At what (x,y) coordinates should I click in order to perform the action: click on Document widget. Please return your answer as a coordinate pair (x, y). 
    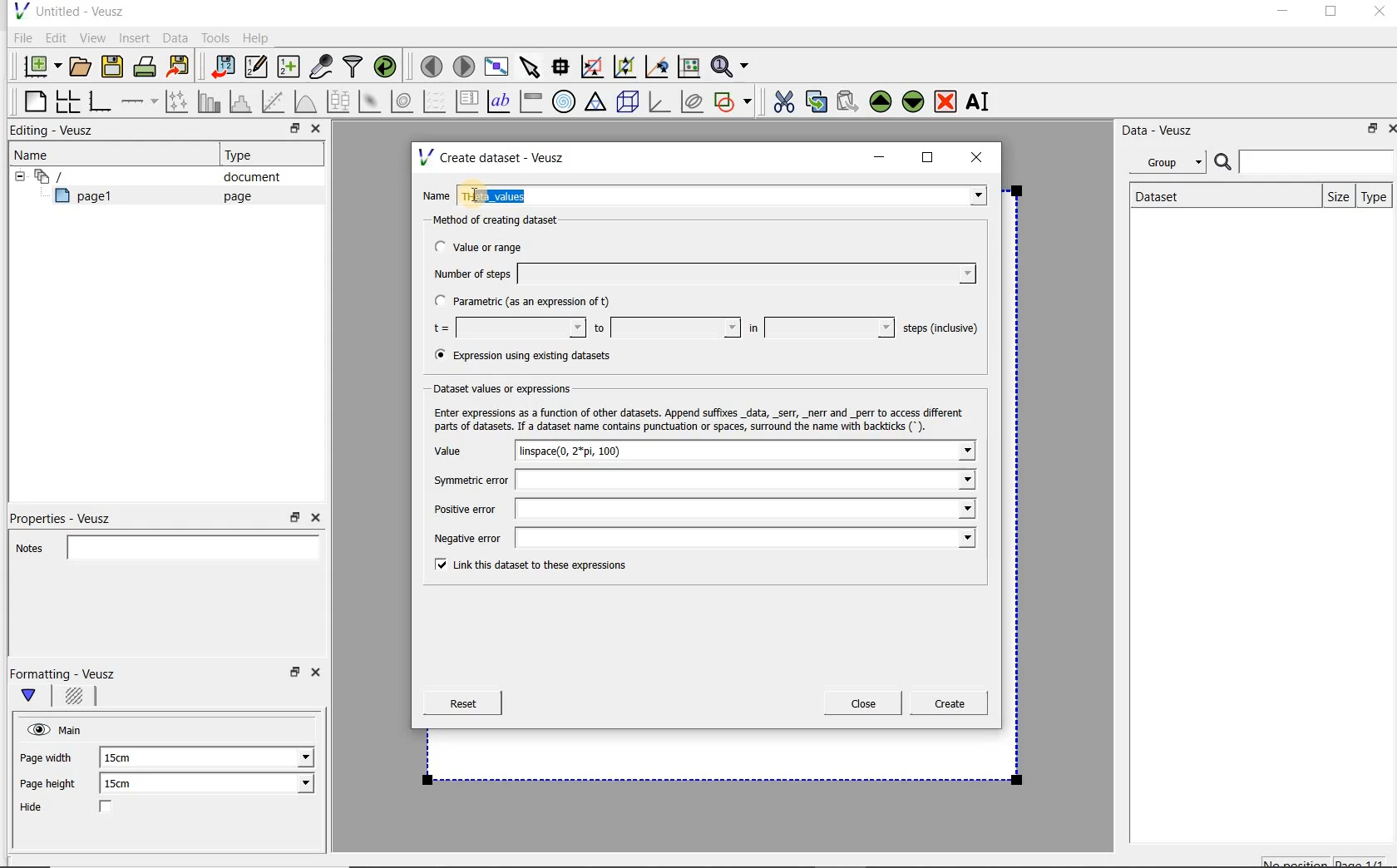
    Looking at the image, I should click on (78, 176).